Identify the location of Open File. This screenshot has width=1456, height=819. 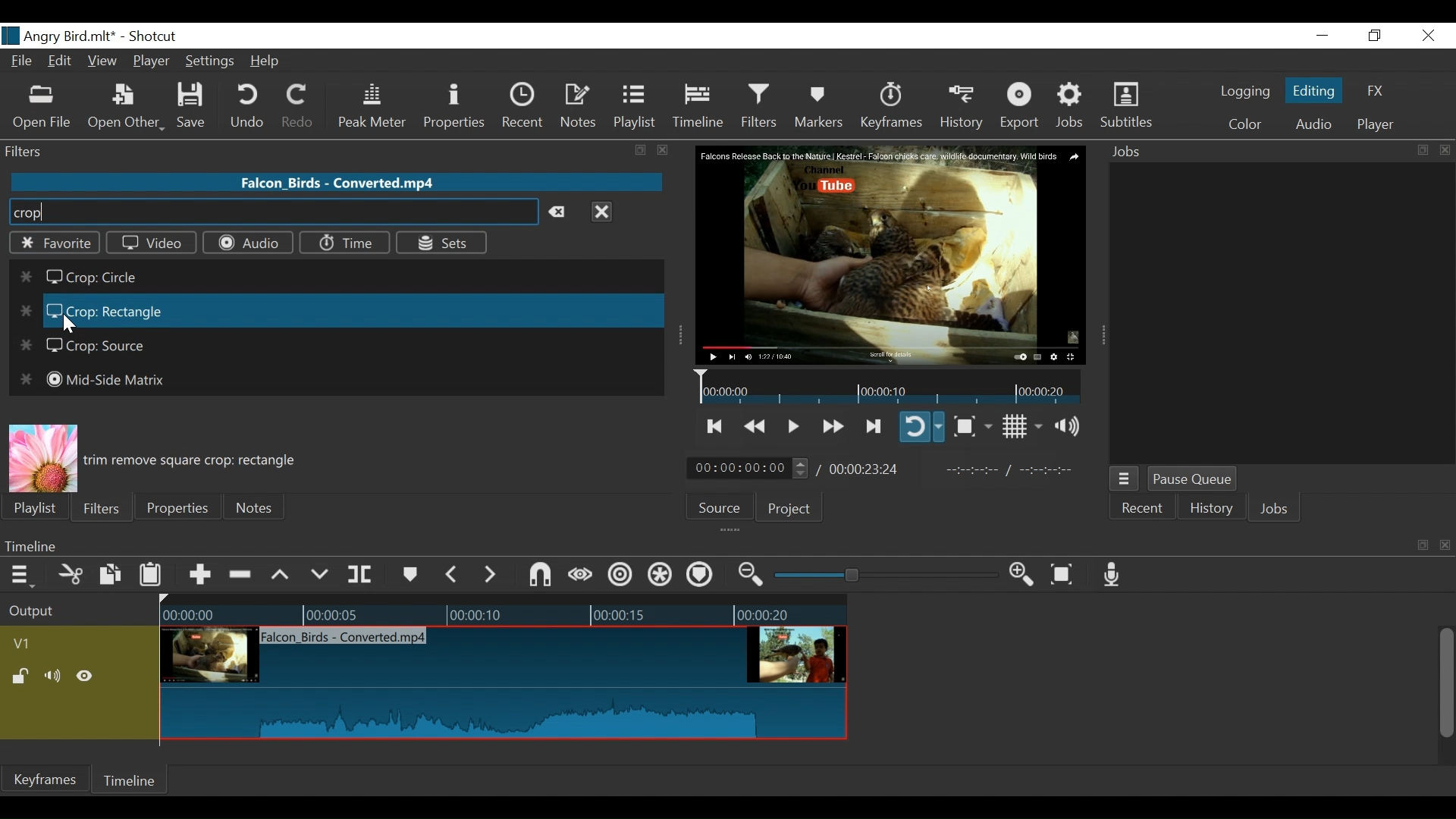
(42, 108).